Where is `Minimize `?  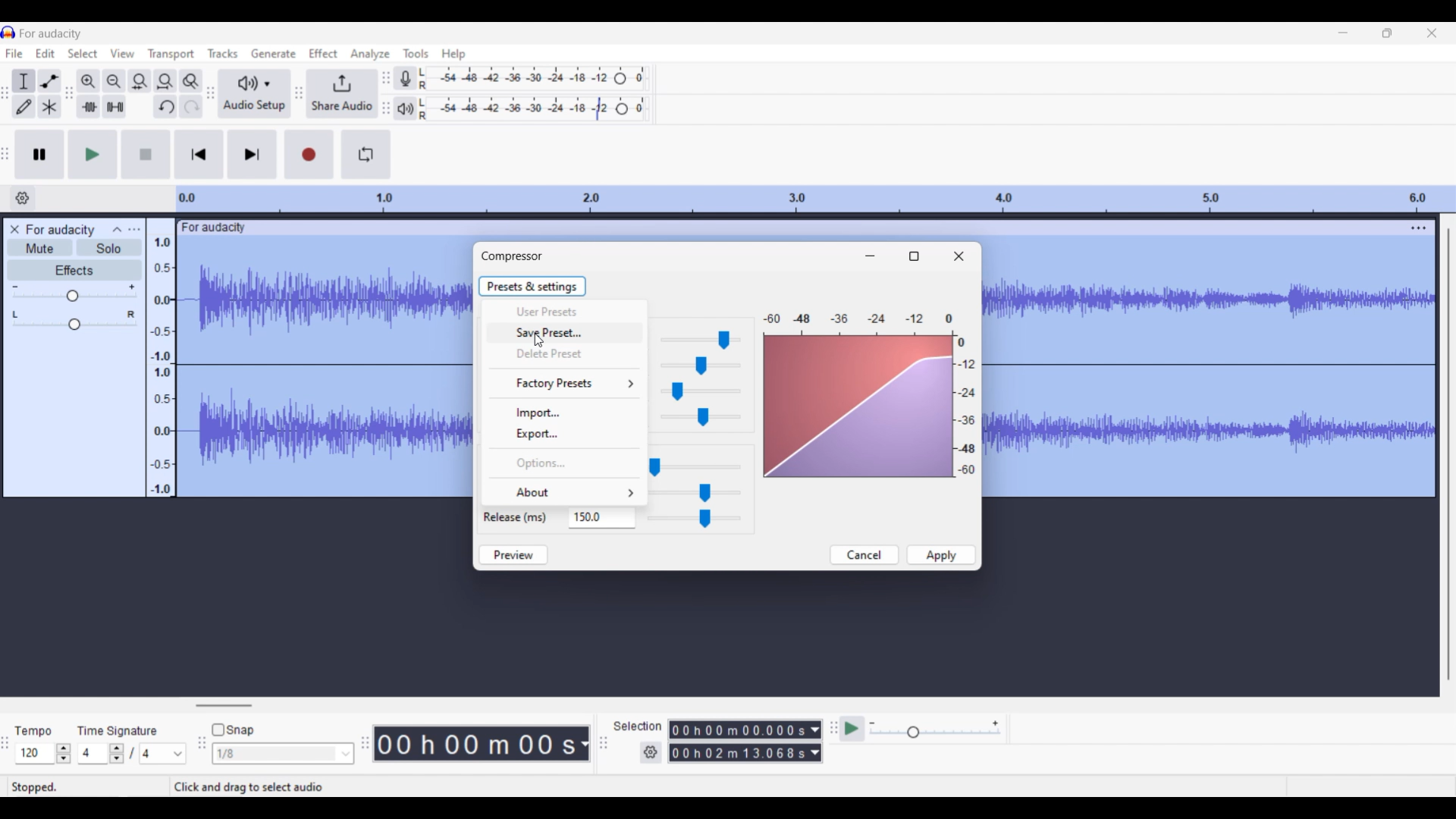 Minimize  is located at coordinates (1343, 33).